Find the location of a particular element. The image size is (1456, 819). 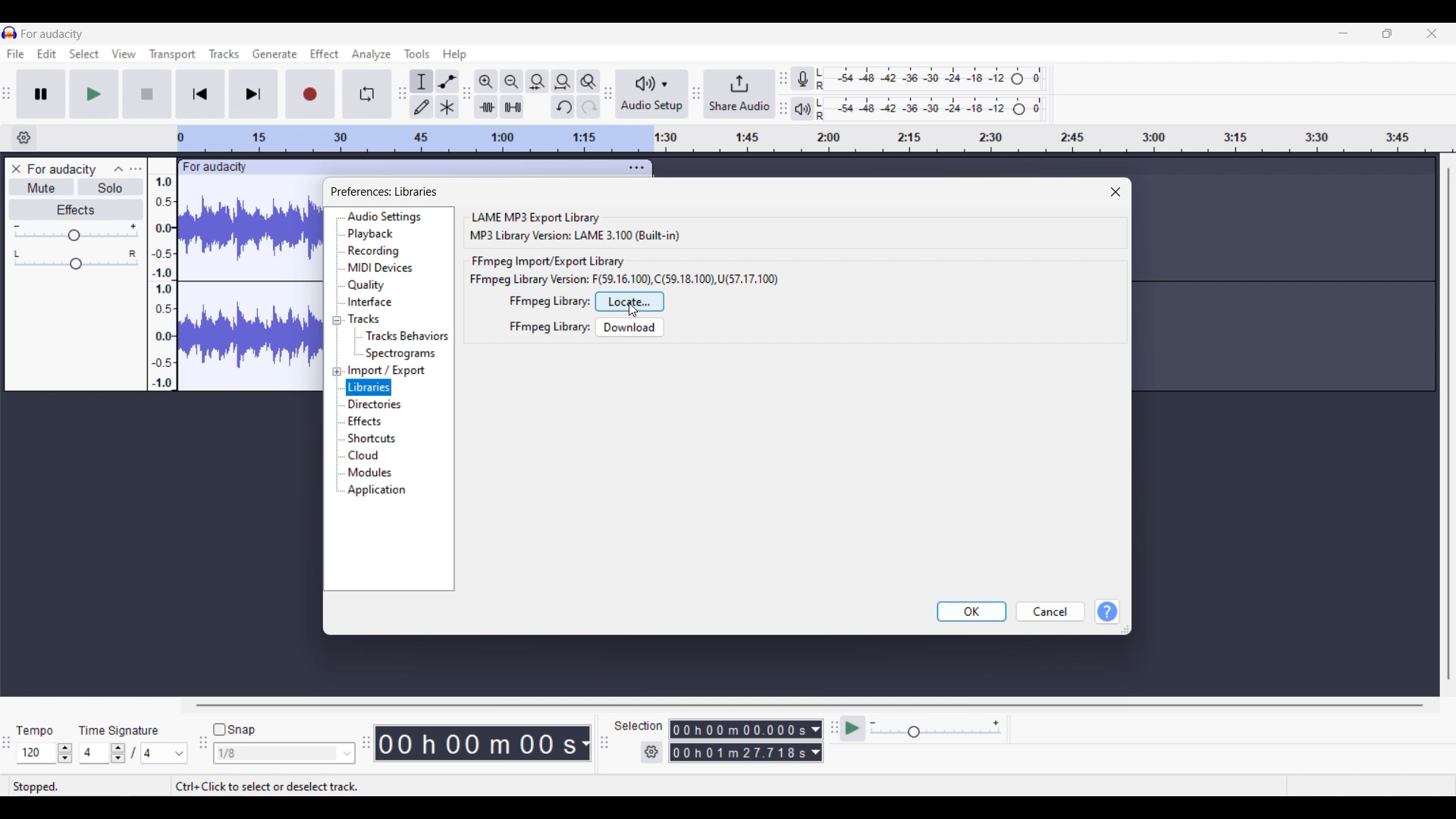

Silence audio selection is located at coordinates (512, 107).